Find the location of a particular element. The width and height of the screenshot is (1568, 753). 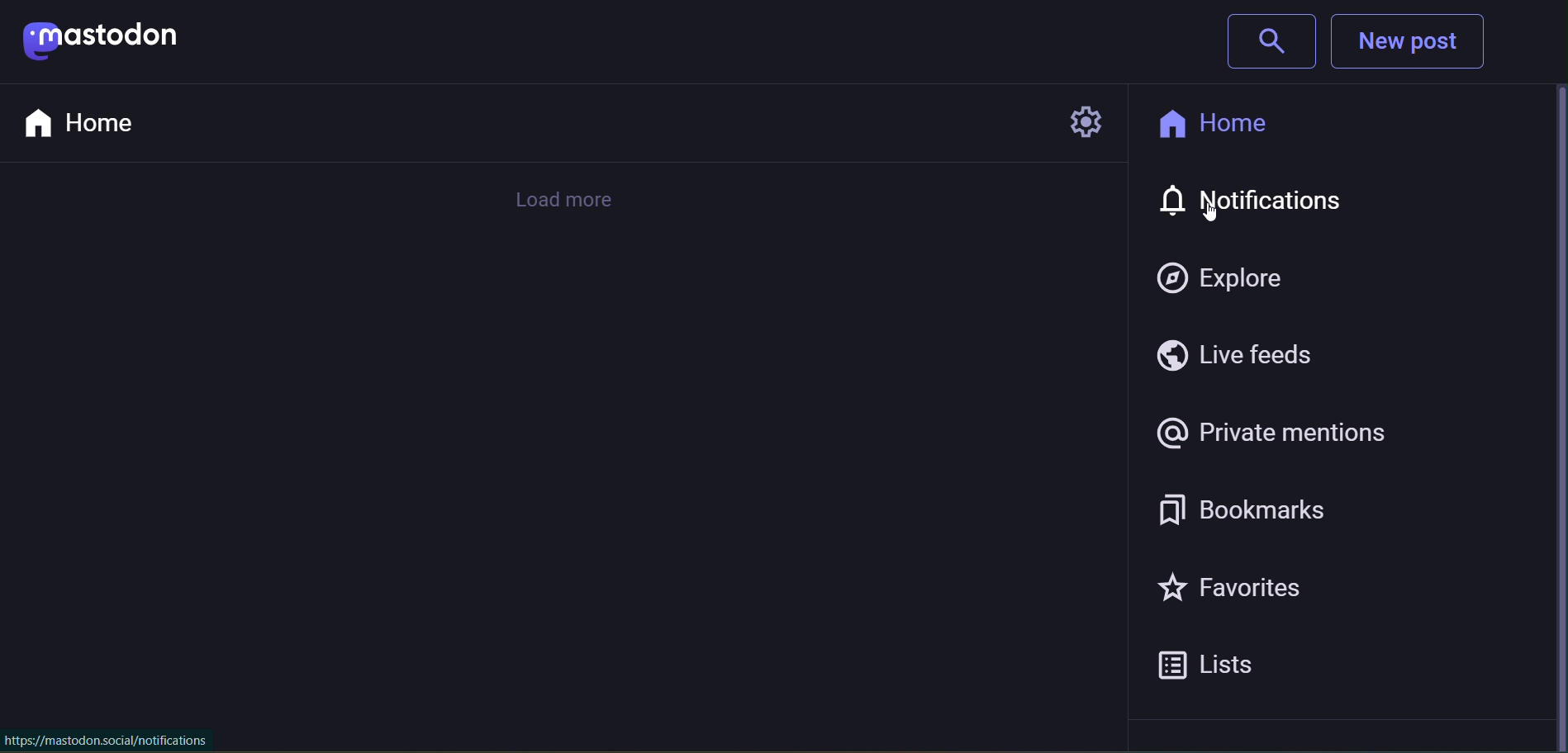

home is located at coordinates (1220, 127).